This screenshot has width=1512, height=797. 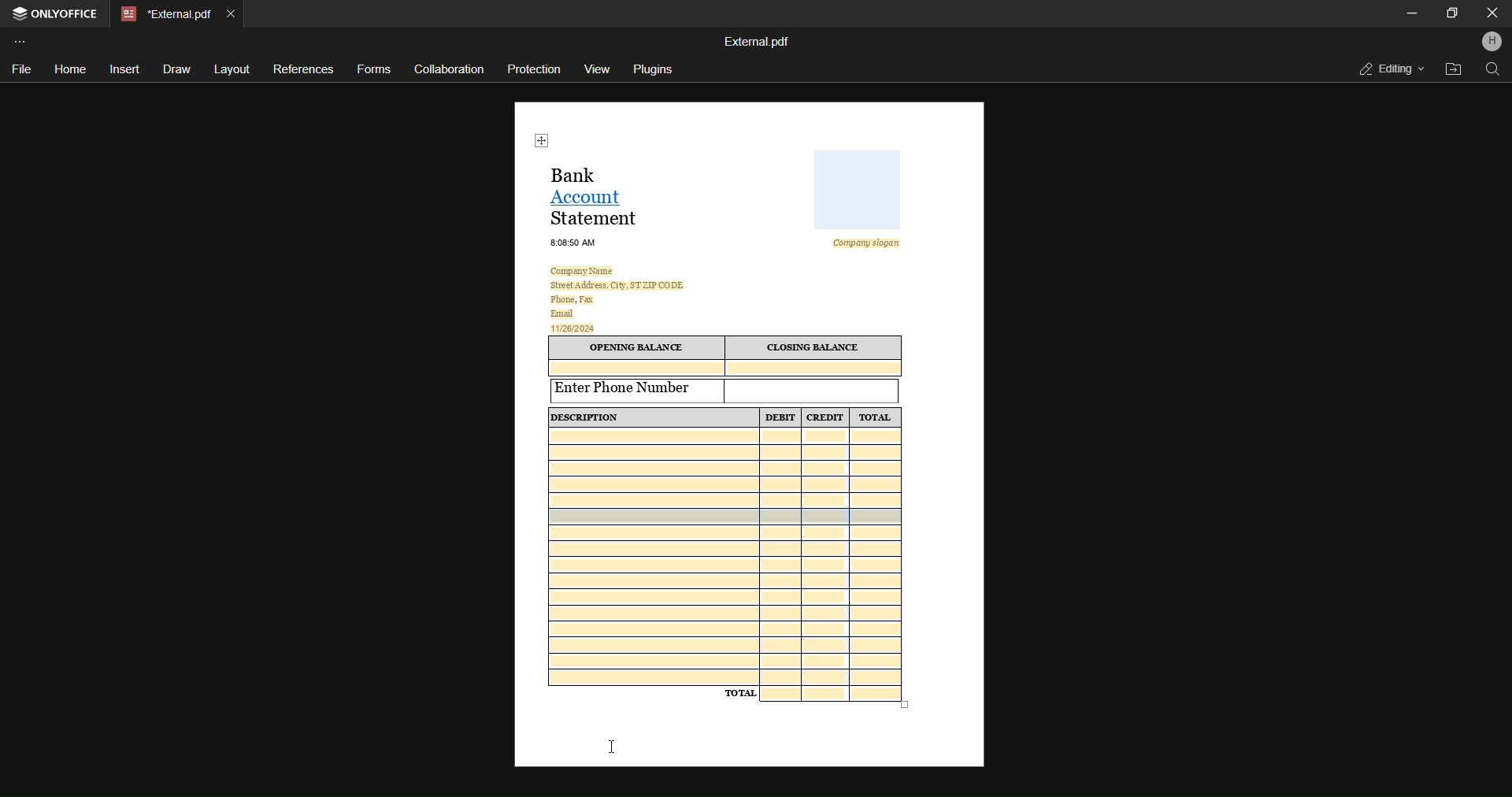 What do you see at coordinates (872, 243) in the screenshot?
I see `Company slogan` at bounding box center [872, 243].